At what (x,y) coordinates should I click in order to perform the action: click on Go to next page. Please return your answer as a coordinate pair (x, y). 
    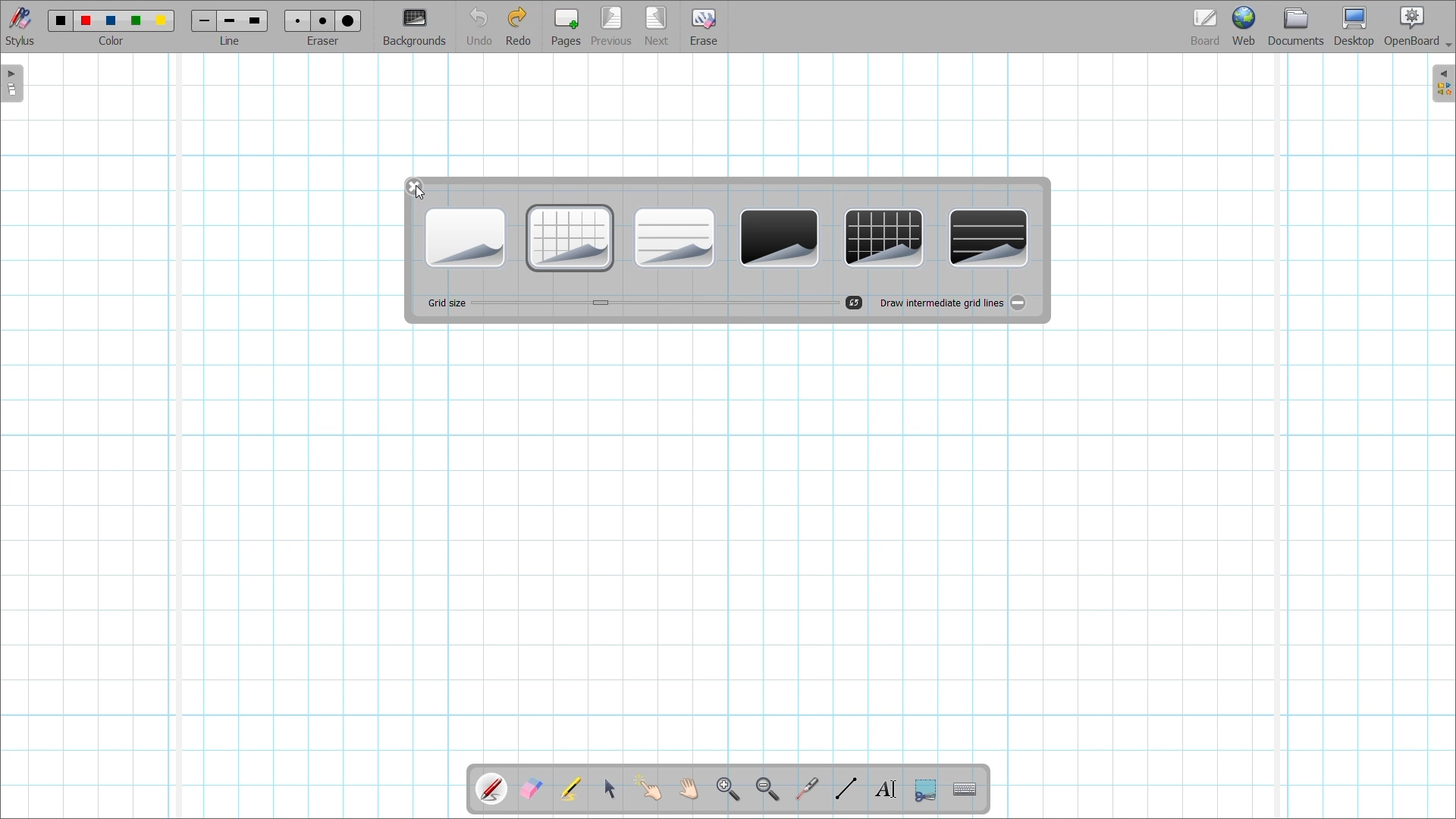
    Looking at the image, I should click on (657, 27).